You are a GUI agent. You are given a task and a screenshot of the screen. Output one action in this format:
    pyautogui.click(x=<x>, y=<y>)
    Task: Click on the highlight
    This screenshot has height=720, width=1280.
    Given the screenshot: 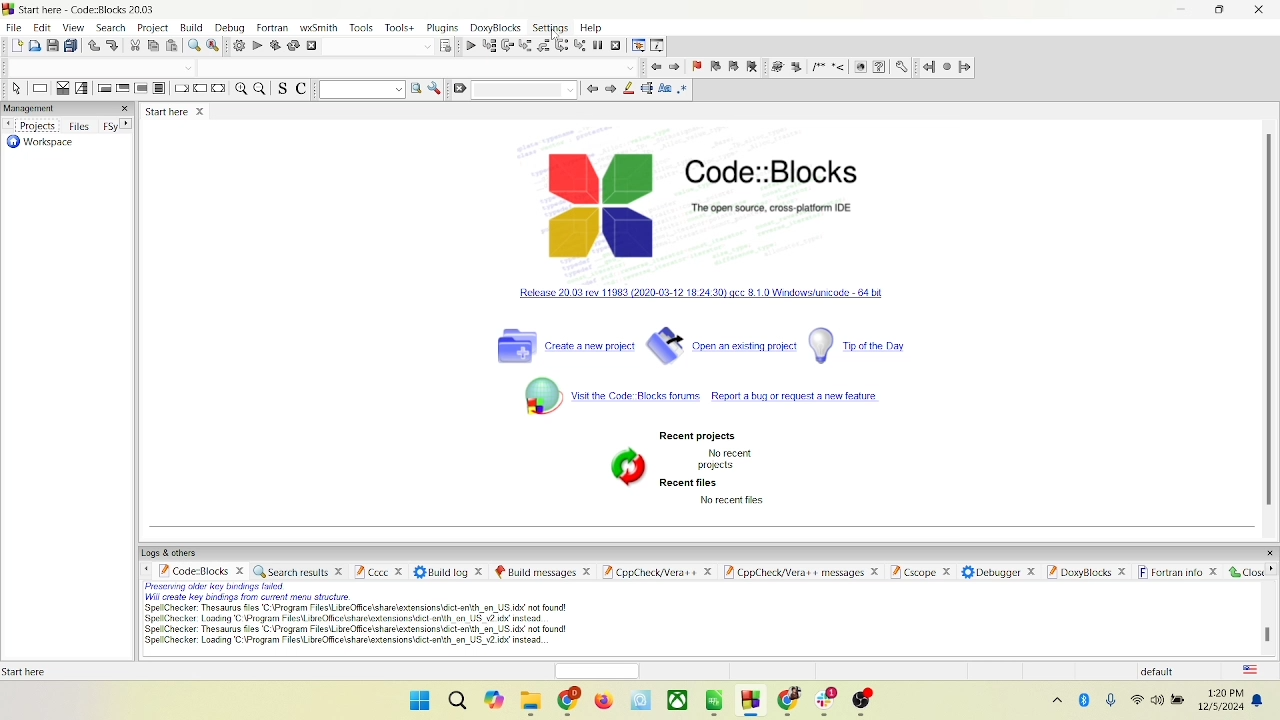 What is the action you would take?
    pyautogui.click(x=630, y=89)
    